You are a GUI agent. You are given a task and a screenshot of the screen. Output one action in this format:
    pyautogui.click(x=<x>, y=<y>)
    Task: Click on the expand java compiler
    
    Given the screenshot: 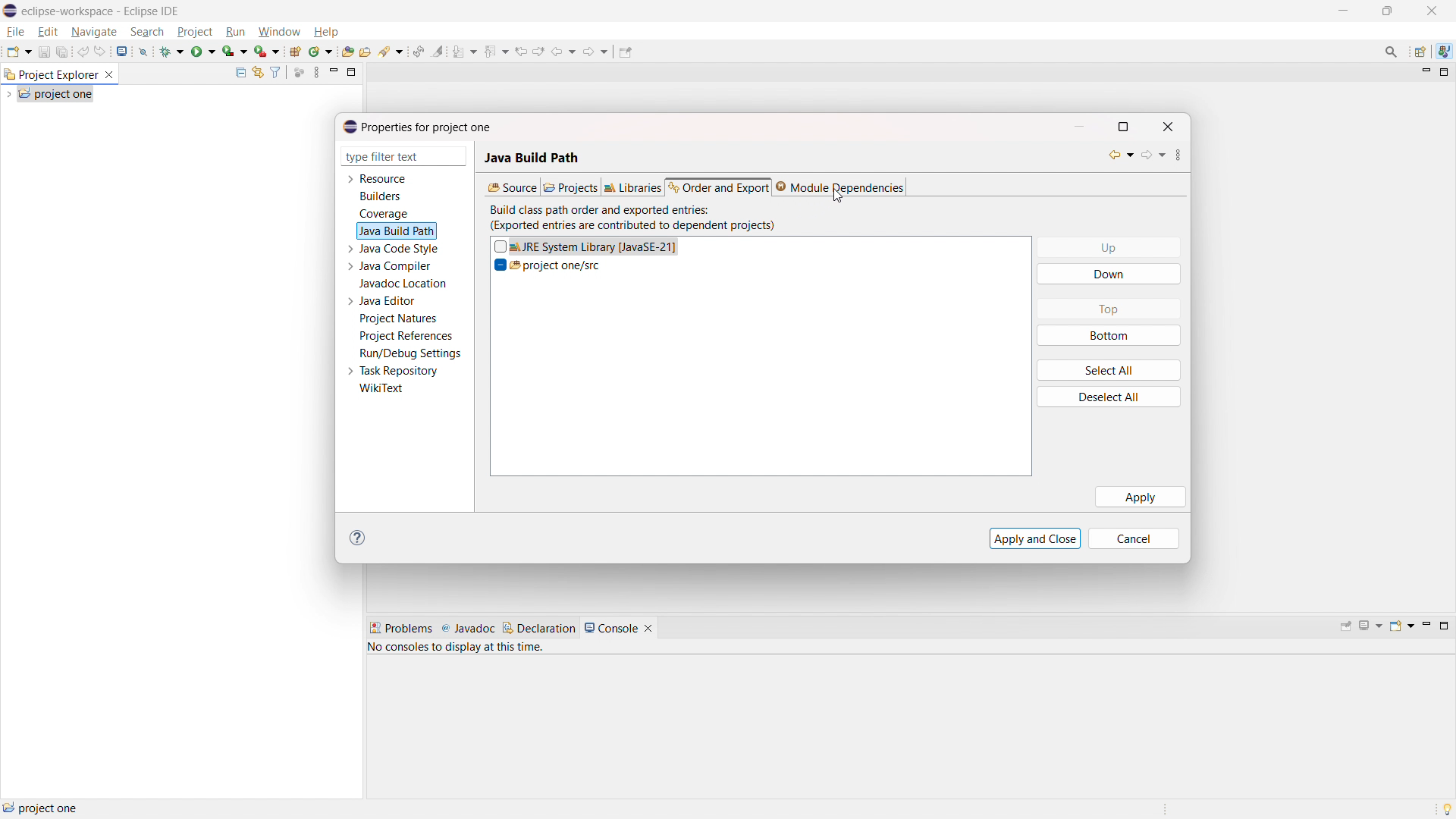 What is the action you would take?
    pyautogui.click(x=350, y=266)
    